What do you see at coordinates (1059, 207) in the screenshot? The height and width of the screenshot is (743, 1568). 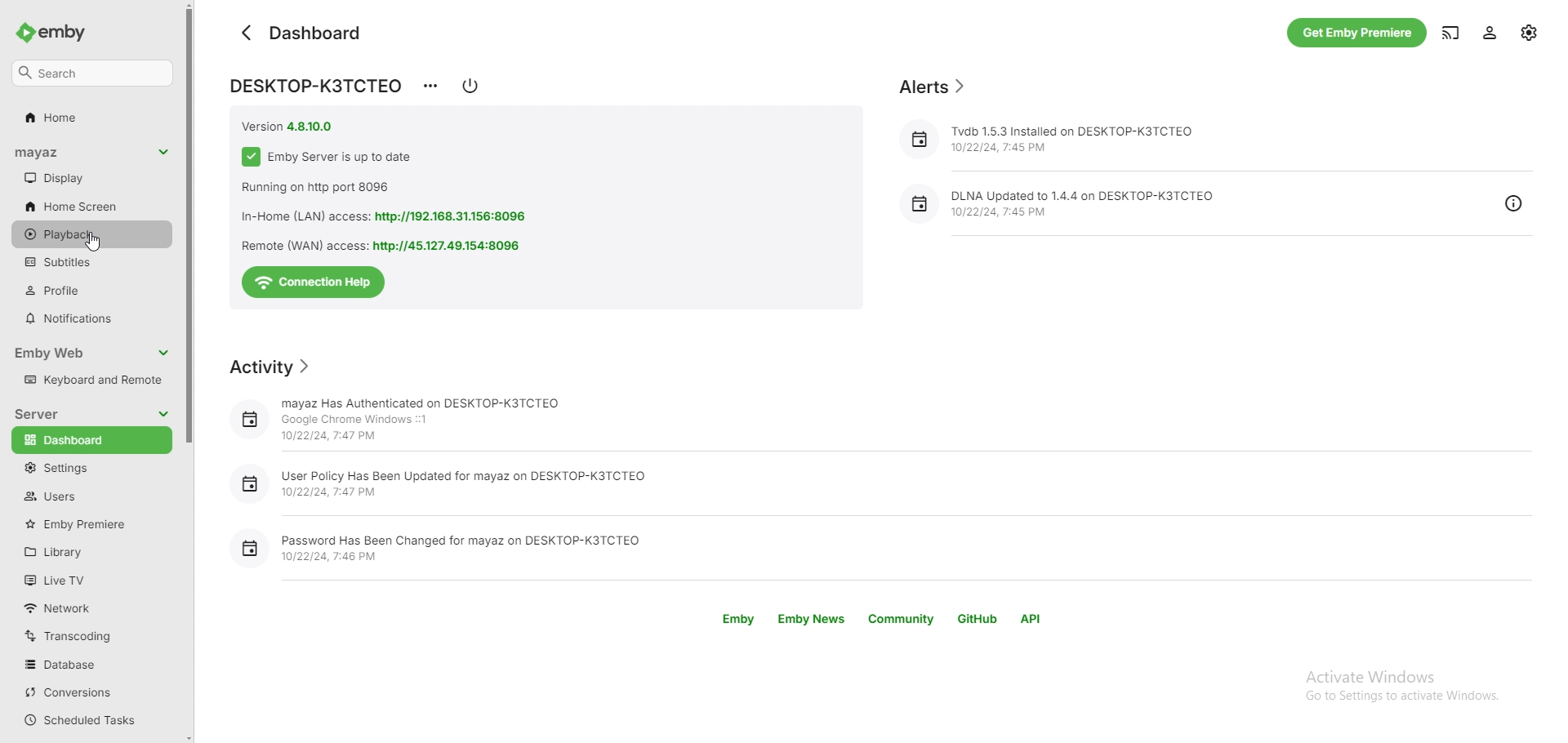 I see `DLNA Updated to 1.4.4 on DESKTOP-KITCTEQ10/22/24, 7:45 PM` at bounding box center [1059, 207].